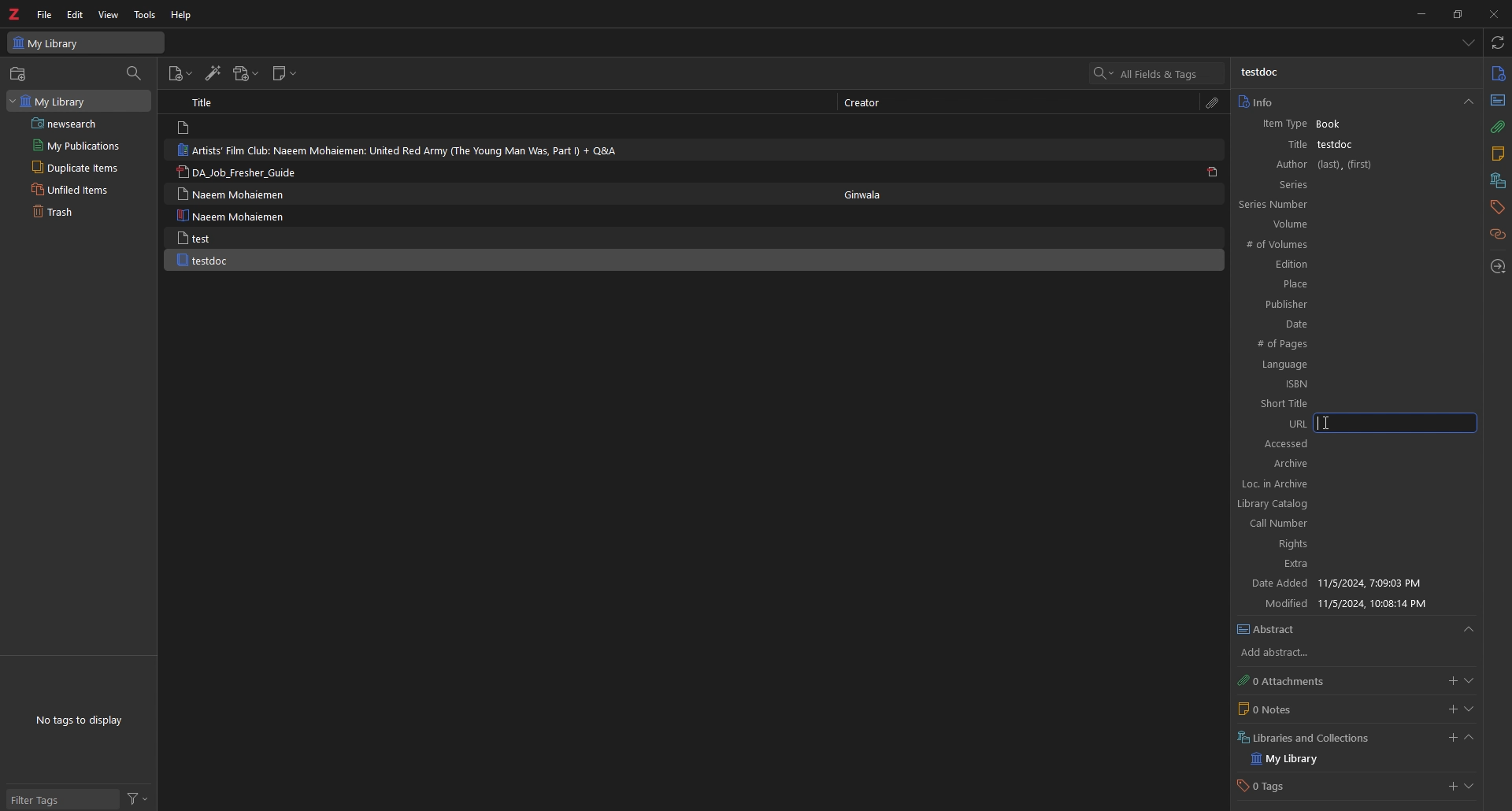  What do you see at coordinates (1457, 14) in the screenshot?
I see `resize` at bounding box center [1457, 14].